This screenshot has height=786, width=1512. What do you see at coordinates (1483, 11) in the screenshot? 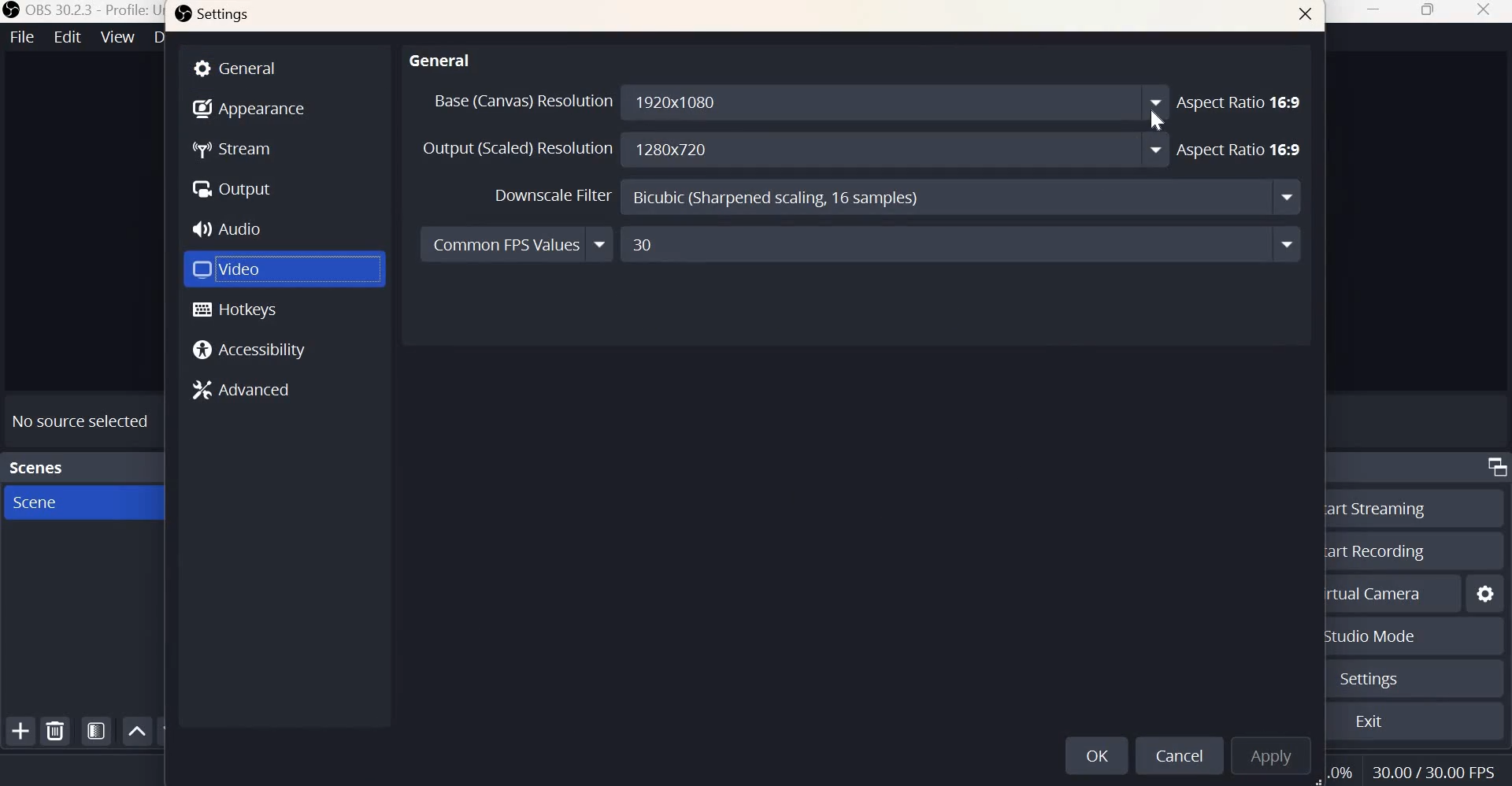
I see `close` at bounding box center [1483, 11].